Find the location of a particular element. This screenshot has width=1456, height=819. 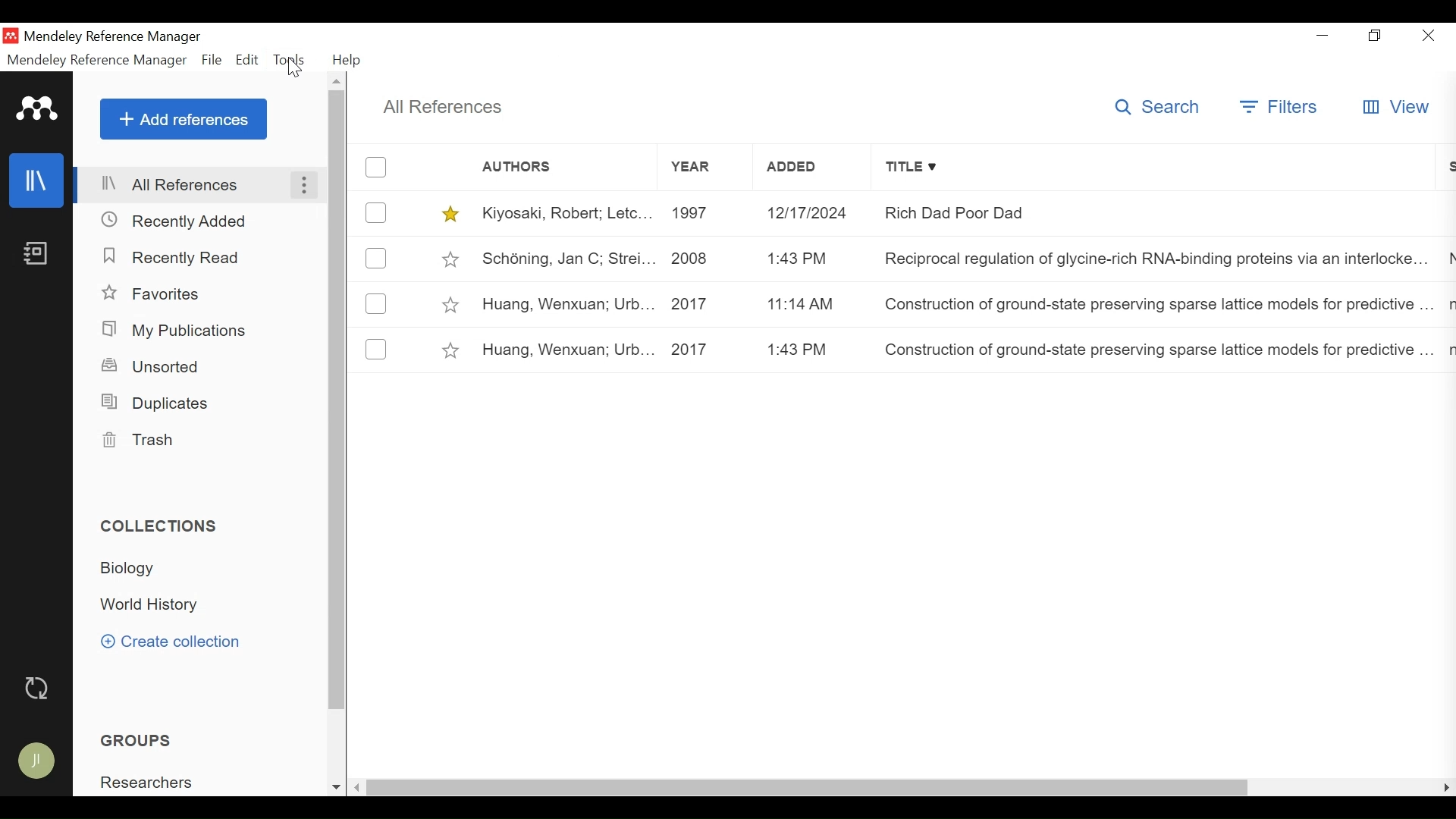

2017 is located at coordinates (708, 350).